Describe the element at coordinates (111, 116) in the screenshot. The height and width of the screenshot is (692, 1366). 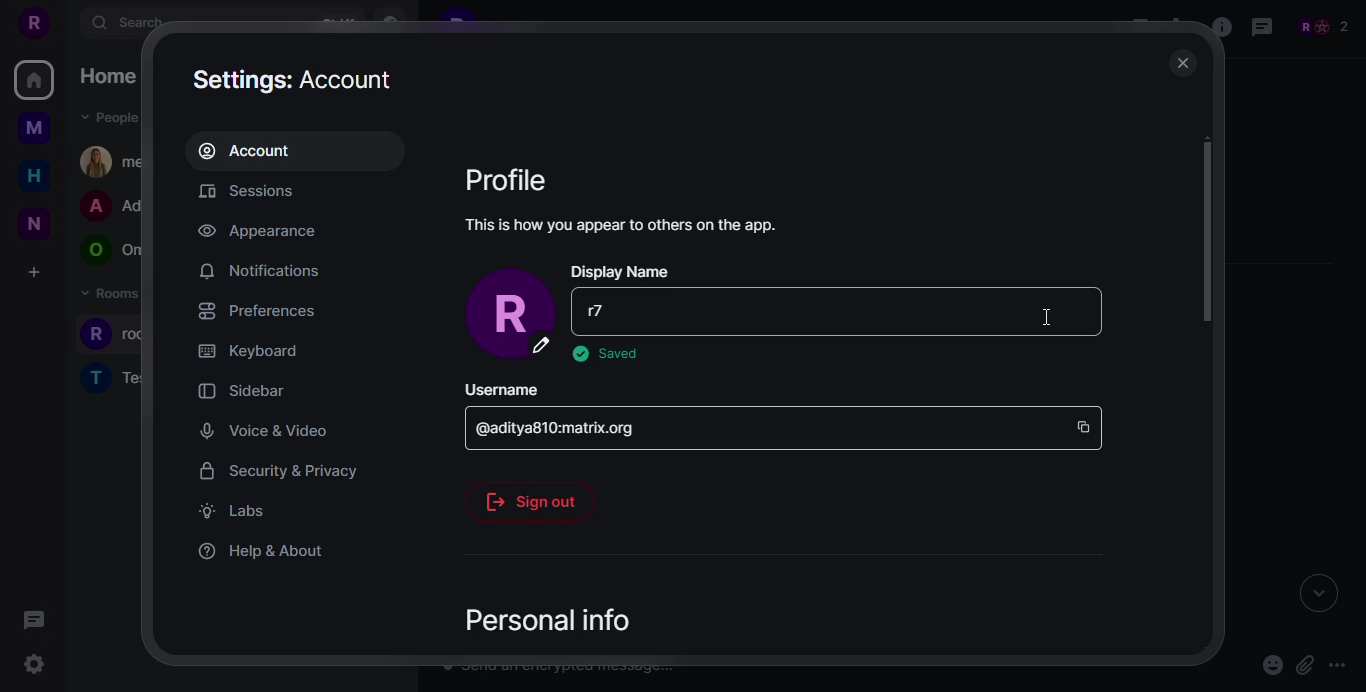
I see `people` at that location.